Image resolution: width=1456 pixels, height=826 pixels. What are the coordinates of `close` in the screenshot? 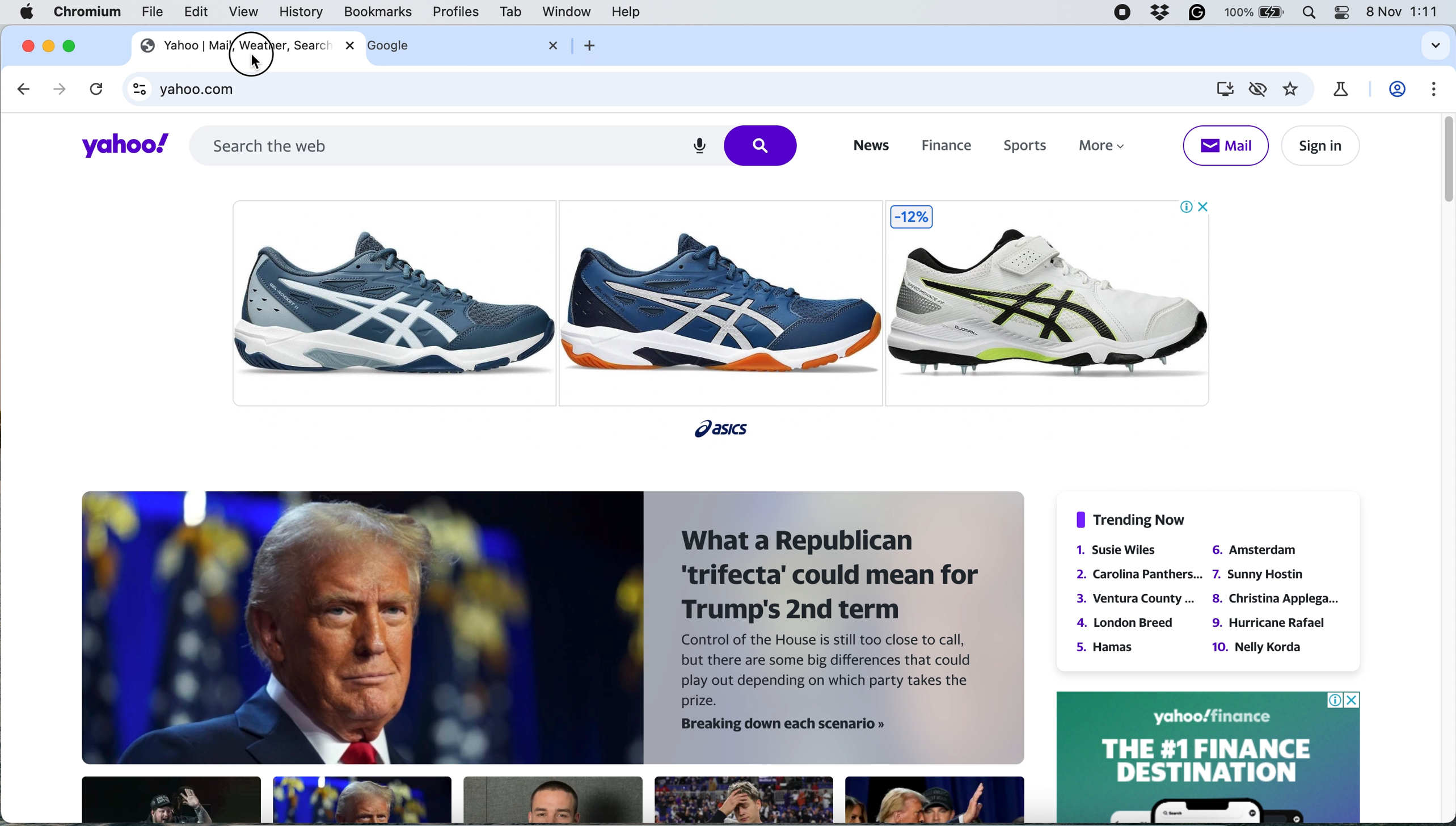 It's located at (347, 47).